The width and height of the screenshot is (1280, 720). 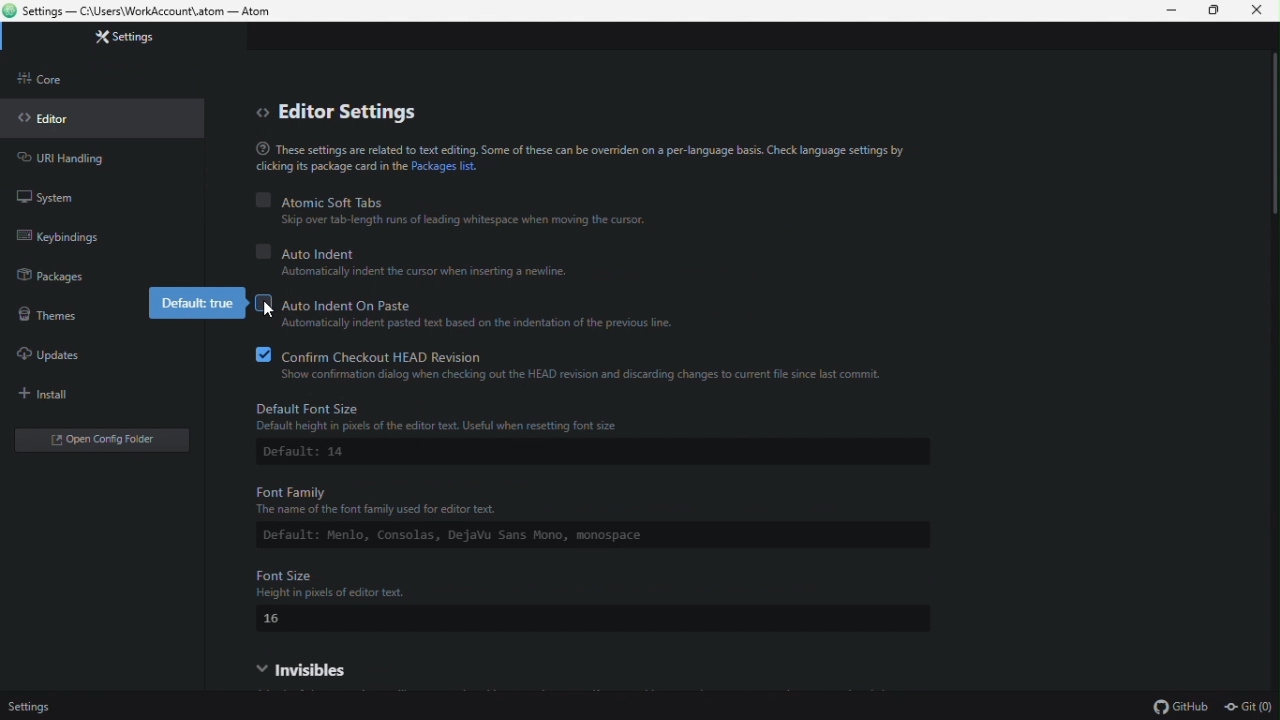 I want to click on Confirm check out head revision, so click(x=585, y=354).